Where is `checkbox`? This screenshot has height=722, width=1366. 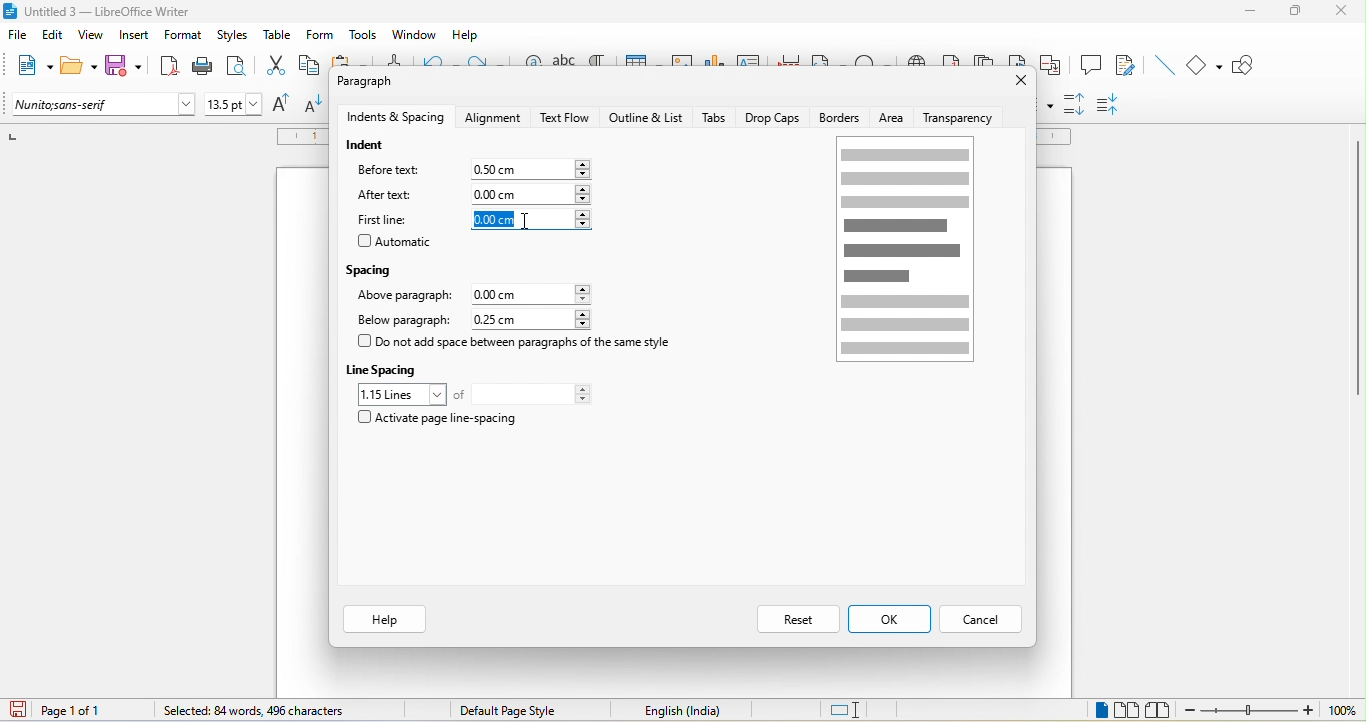 checkbox is located at coordinates (364, 417).